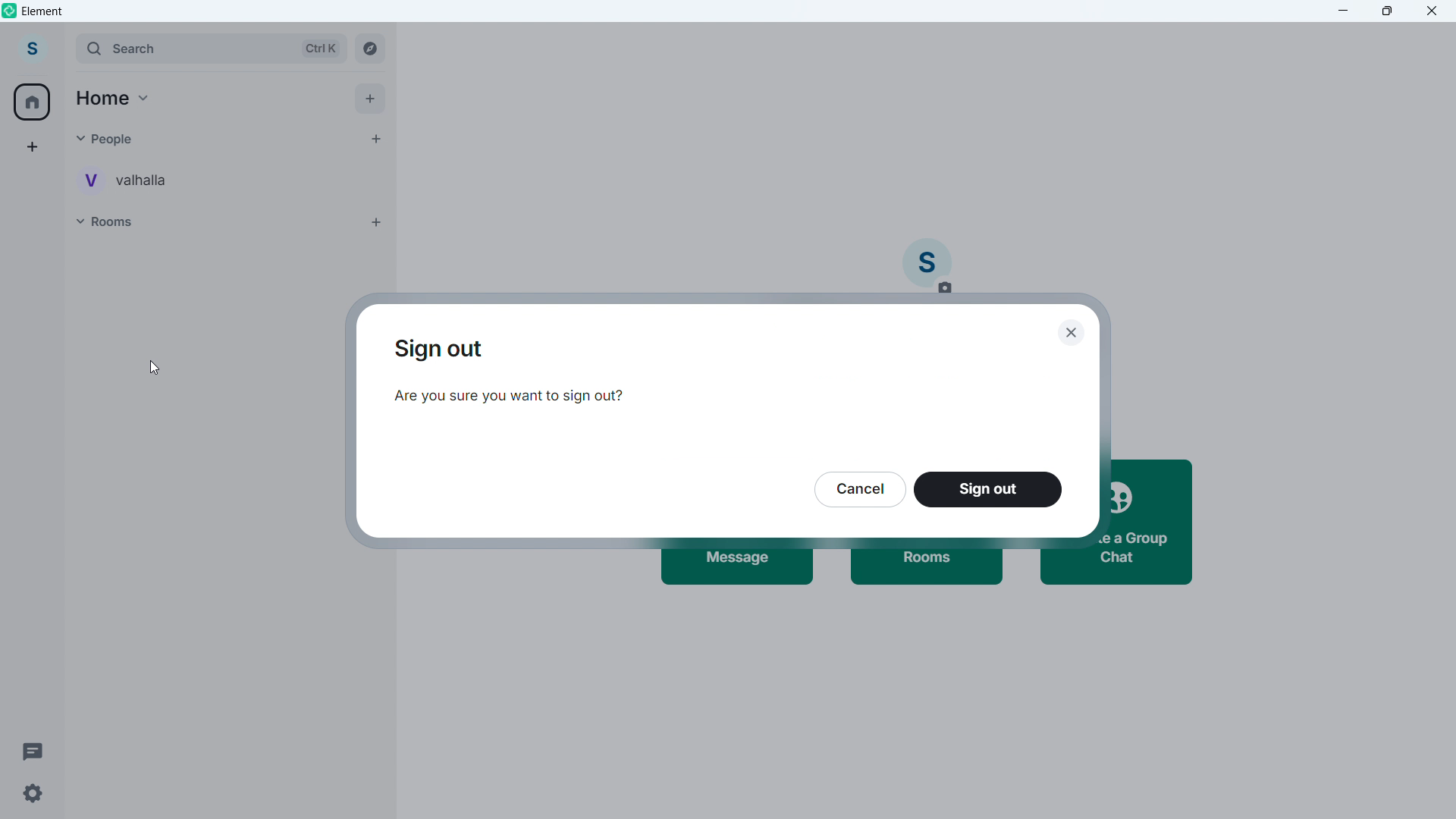 The image size is (1456, 819). What do you see at coordinates (927, 267) in the screenshot?
I see `Account image` at bounding box center [927, 267].